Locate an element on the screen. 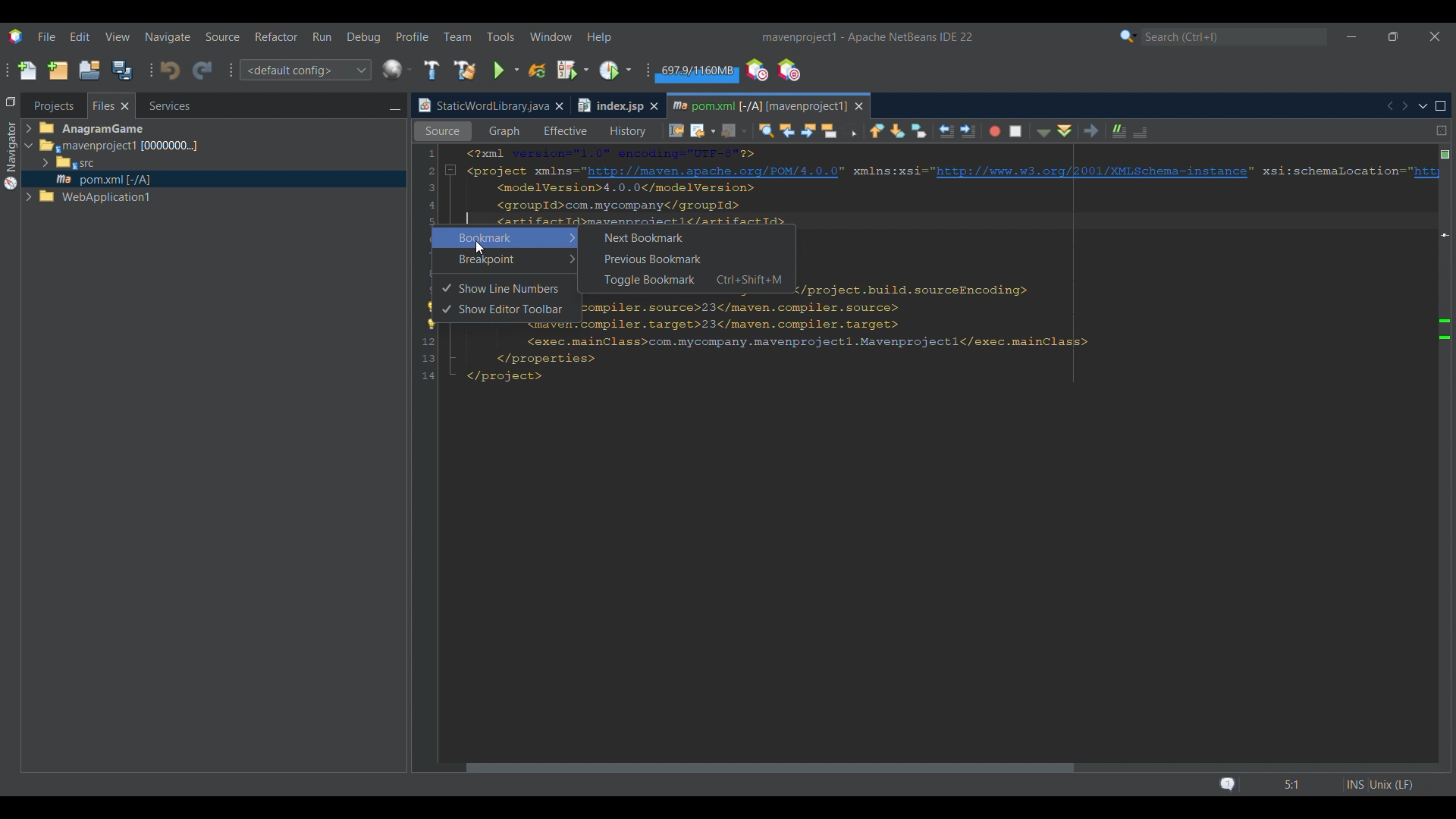 This screenshot has width=1456, height=819. Edit menu is located at coordinates (80, 36).